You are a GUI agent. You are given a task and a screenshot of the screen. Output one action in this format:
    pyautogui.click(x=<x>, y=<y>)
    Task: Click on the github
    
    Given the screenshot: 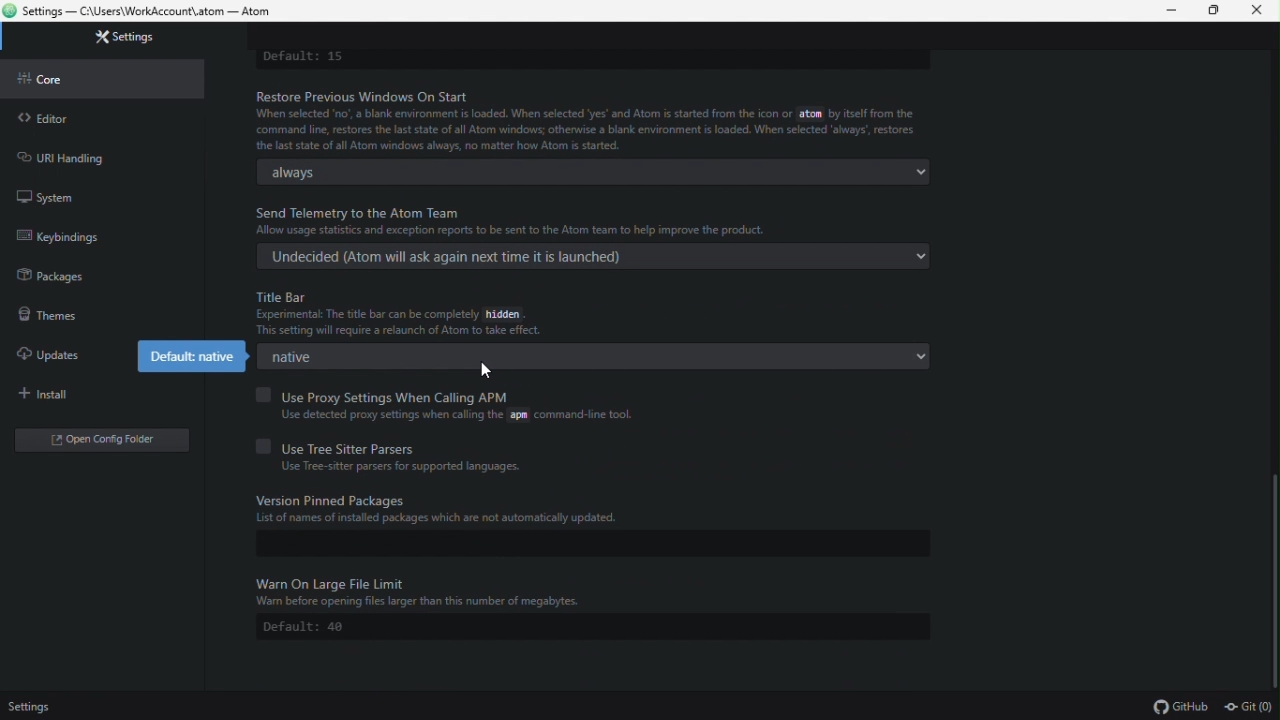 What is the action you would take?
    pyautogui.click(x=1179, y=706)
    